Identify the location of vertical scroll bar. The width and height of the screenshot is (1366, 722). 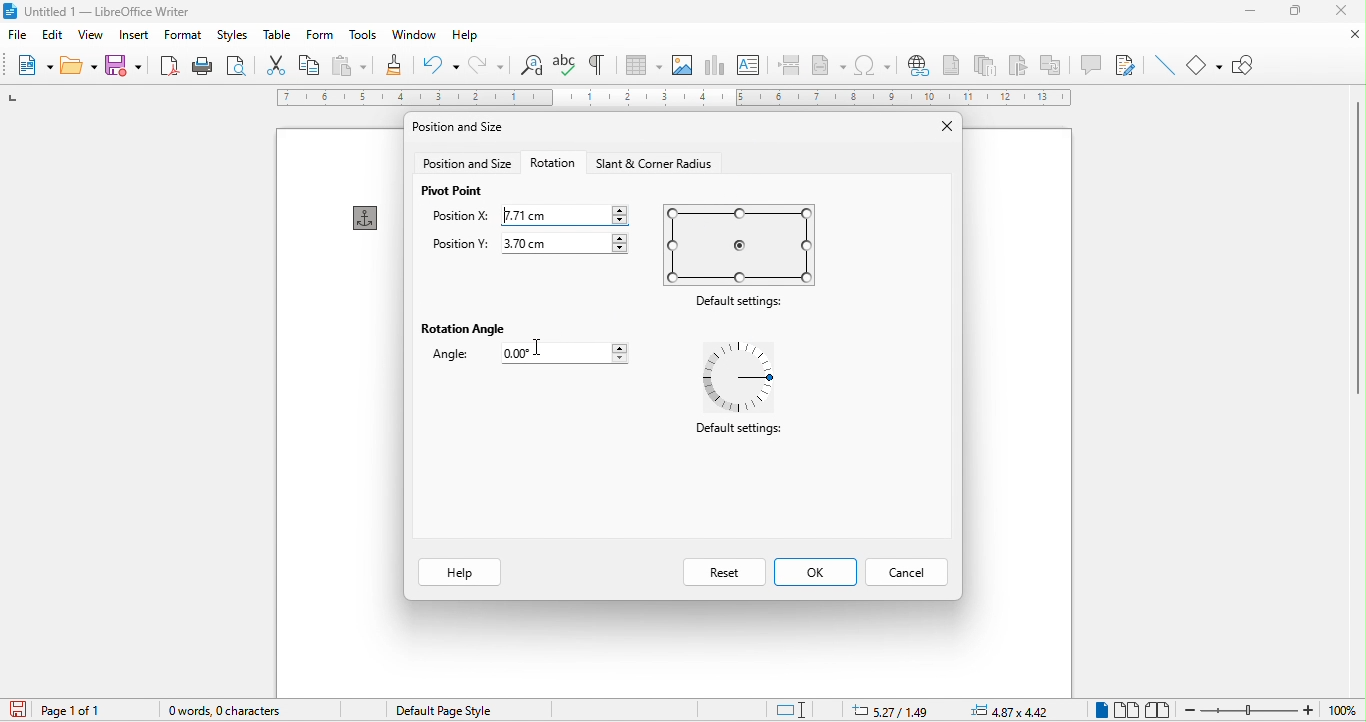
(1355, 248).